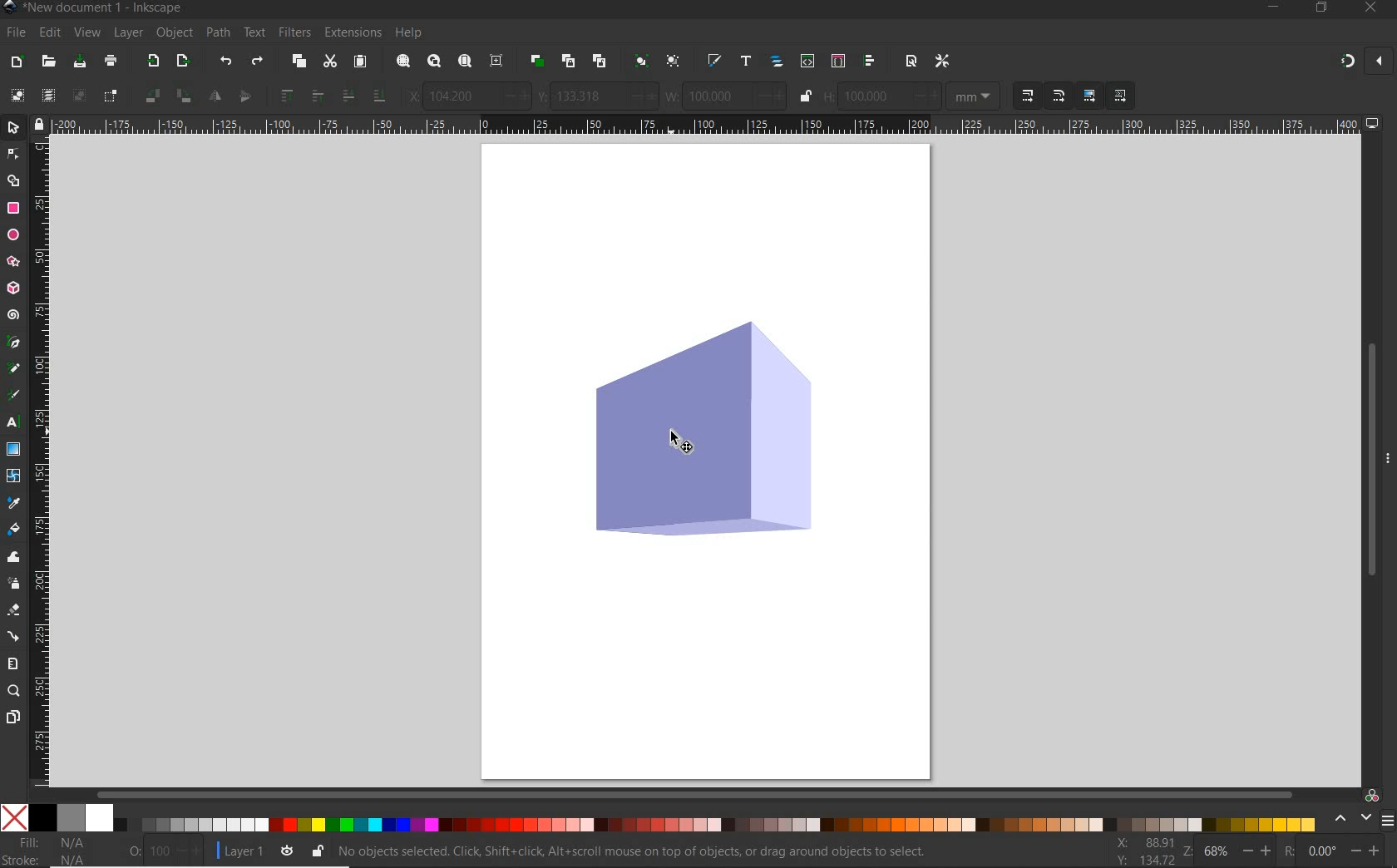 The image size is (1397, 868). Describe the element at coordinates (870, 96) in the screenshot. I see `100` at that location.